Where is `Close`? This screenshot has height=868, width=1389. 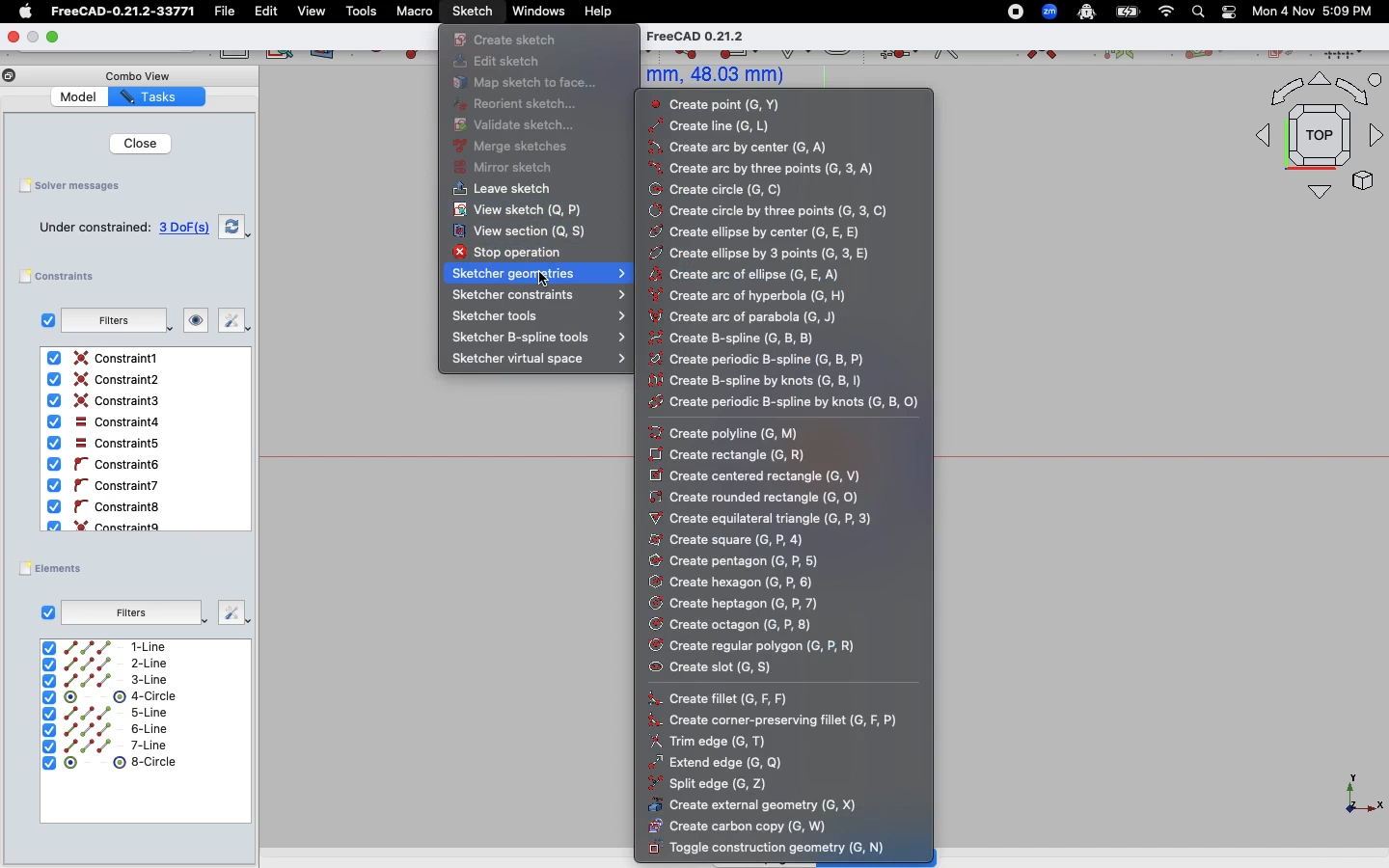 Close is located at coordinates (135, 143).